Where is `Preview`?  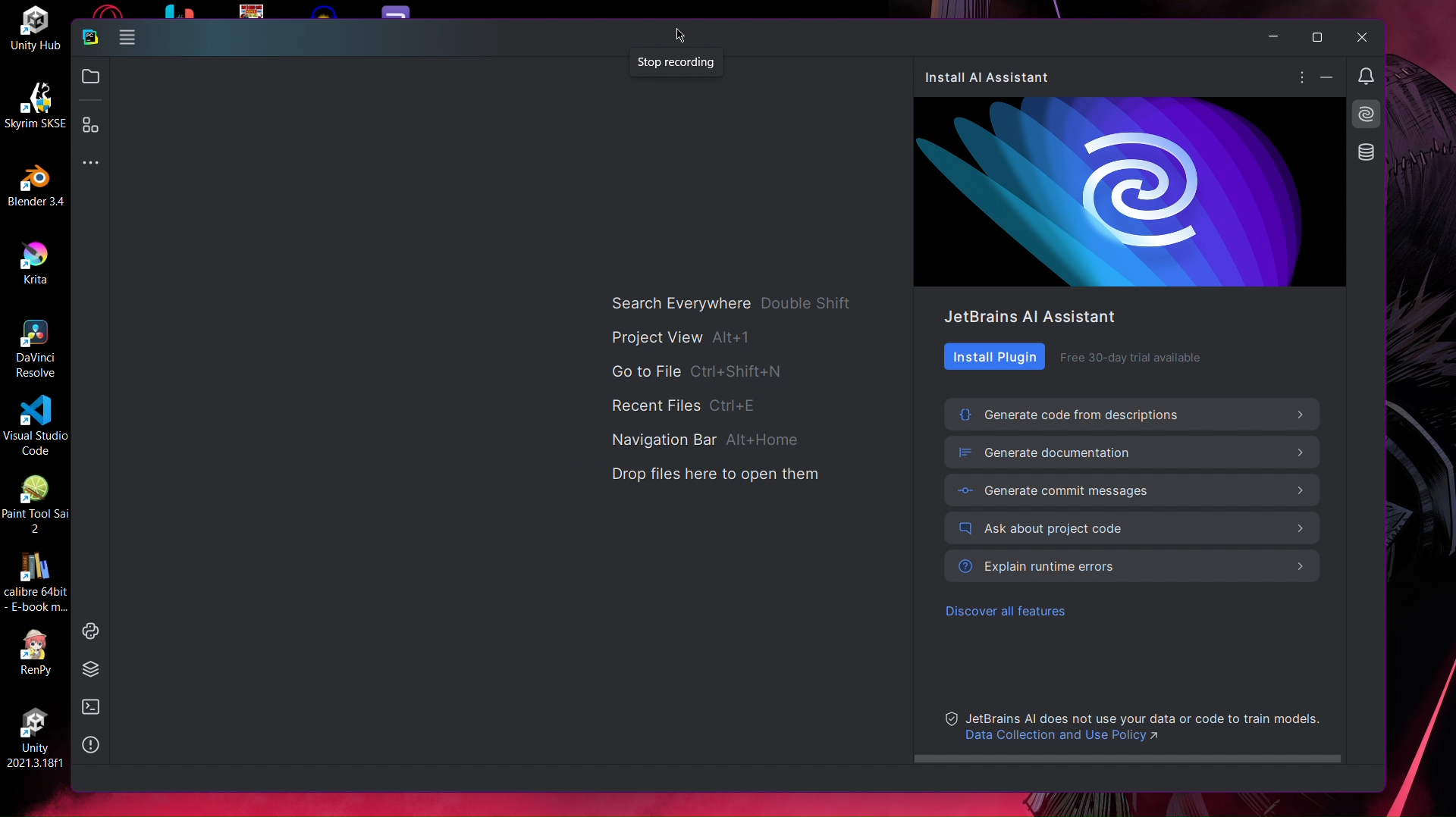 Preview is located at coordinates (1131, 192).